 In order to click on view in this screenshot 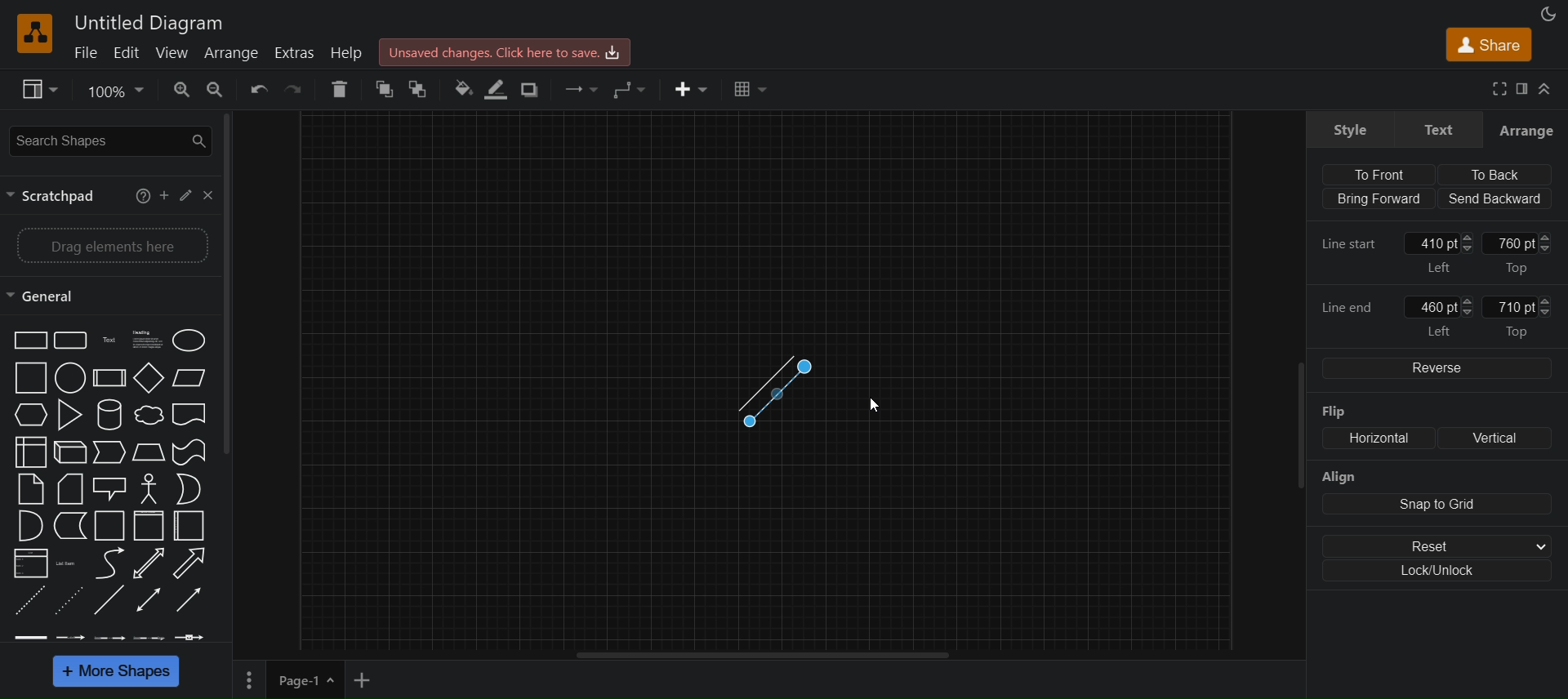, I will do `click(176, 52)`.